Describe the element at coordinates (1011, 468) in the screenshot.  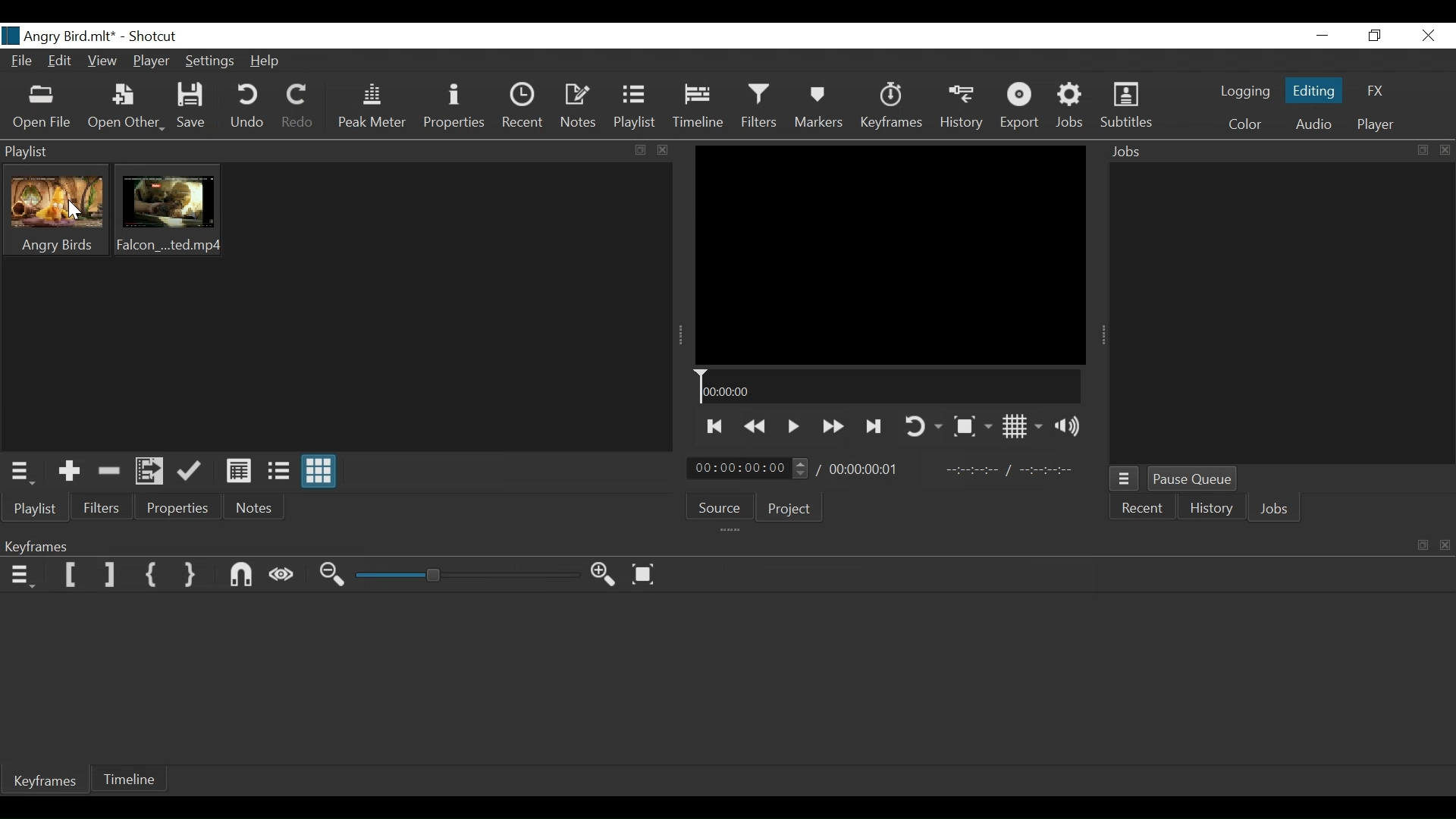
I see `In Point` at that location.